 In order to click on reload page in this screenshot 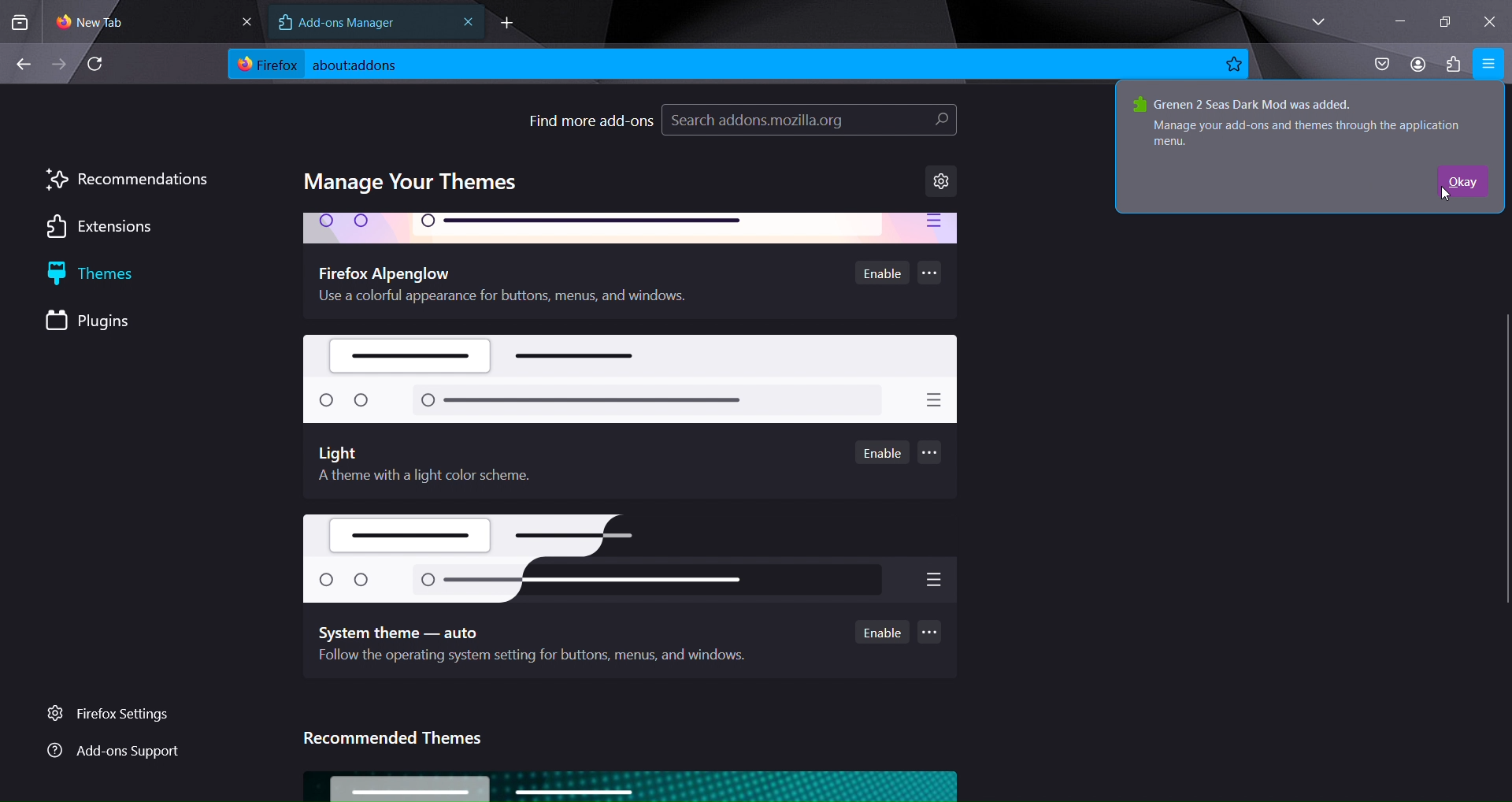, I will do `click(100, 64)`.